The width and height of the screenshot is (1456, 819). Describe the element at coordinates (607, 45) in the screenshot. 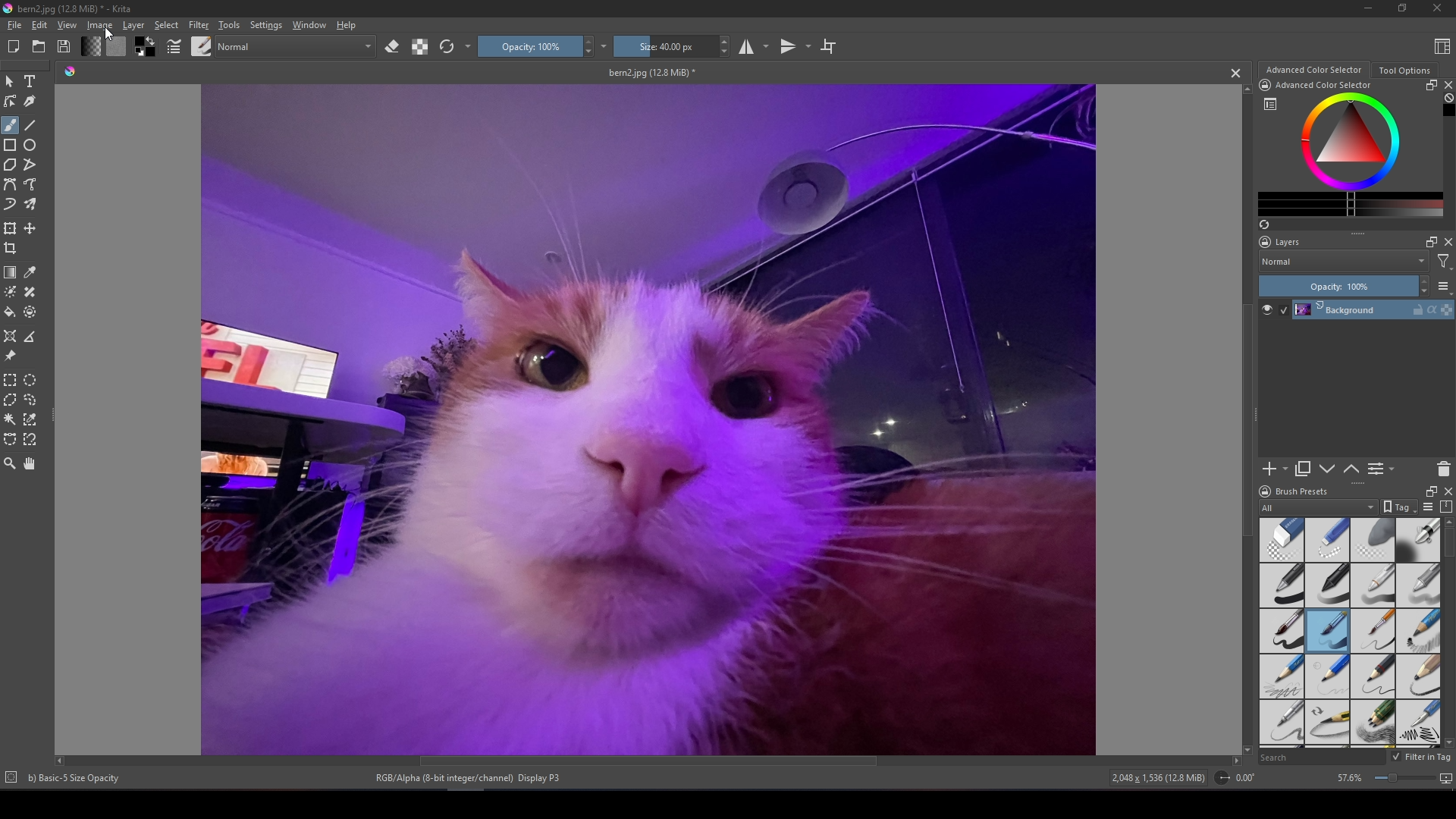

I see `Image options 2` at that location.